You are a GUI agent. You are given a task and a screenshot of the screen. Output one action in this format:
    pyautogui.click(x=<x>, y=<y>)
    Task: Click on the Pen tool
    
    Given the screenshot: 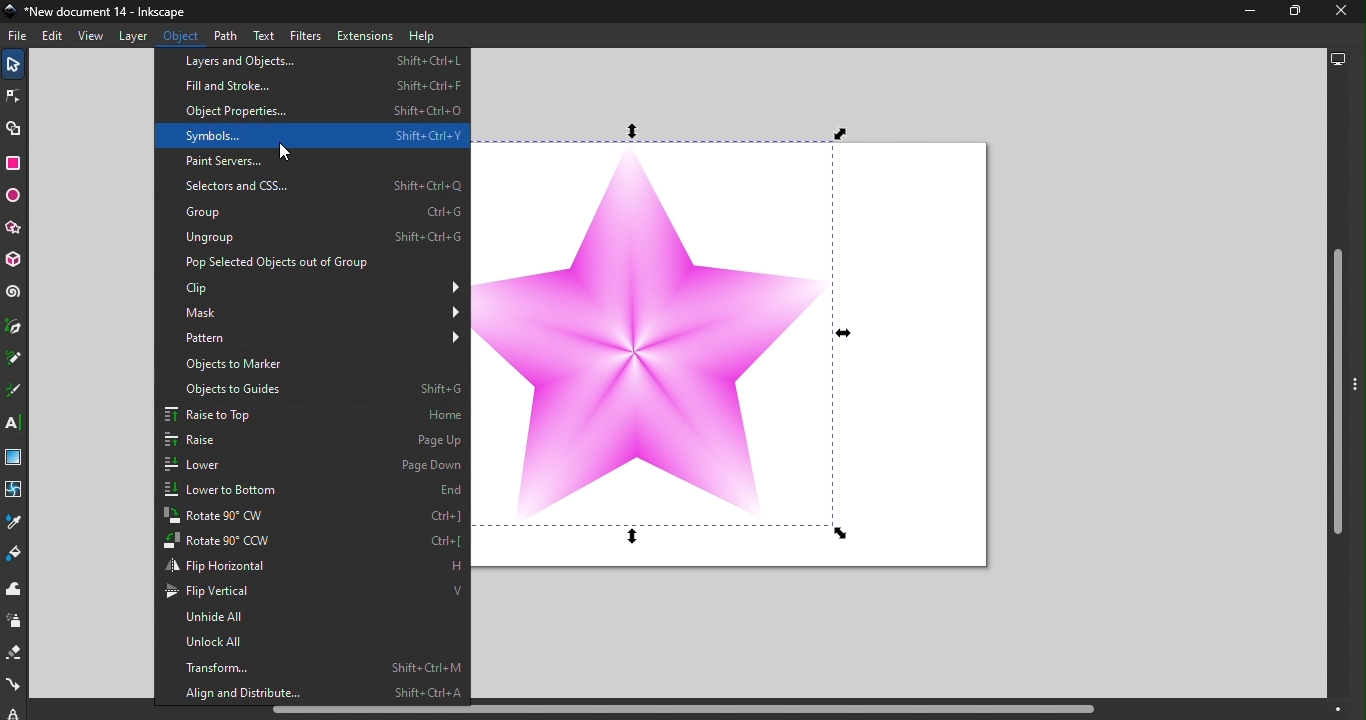 What is the action you would take?
    pyautogui.click(x=14, y=323)
    